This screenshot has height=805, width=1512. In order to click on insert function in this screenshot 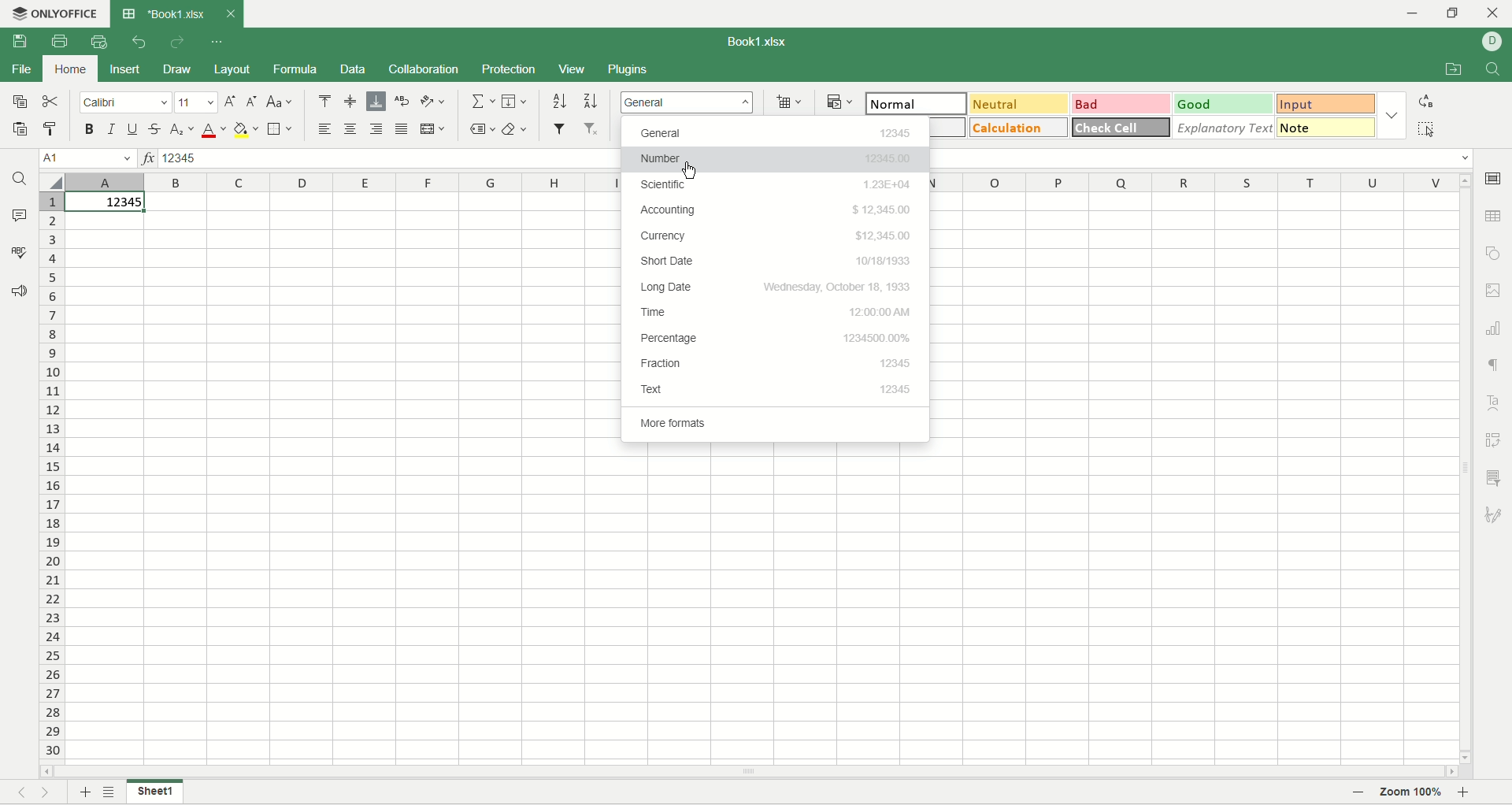, I will do `click(146, 158)`.